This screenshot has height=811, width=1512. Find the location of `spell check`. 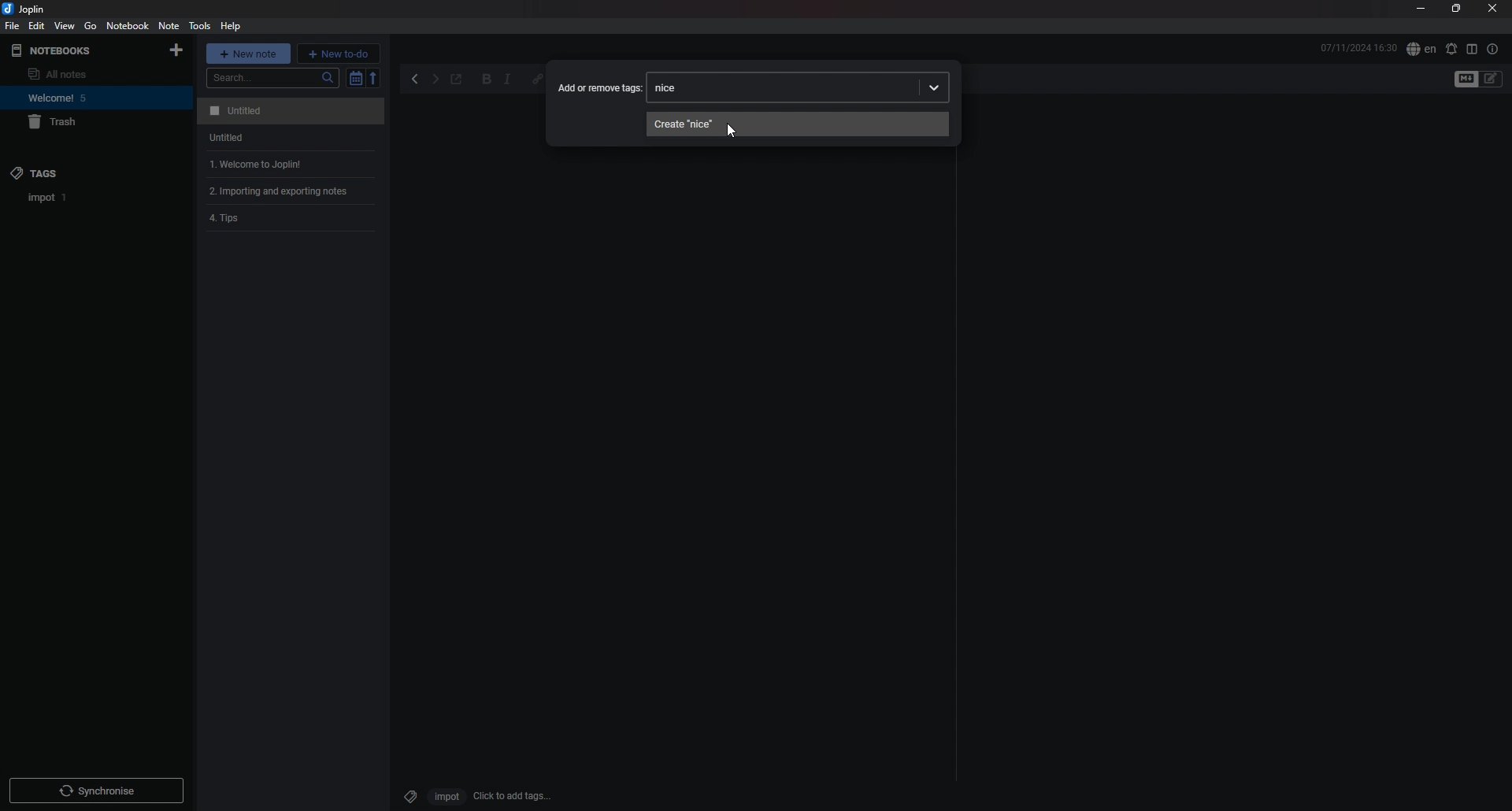

spell check is located at coordinates (1421, 50).